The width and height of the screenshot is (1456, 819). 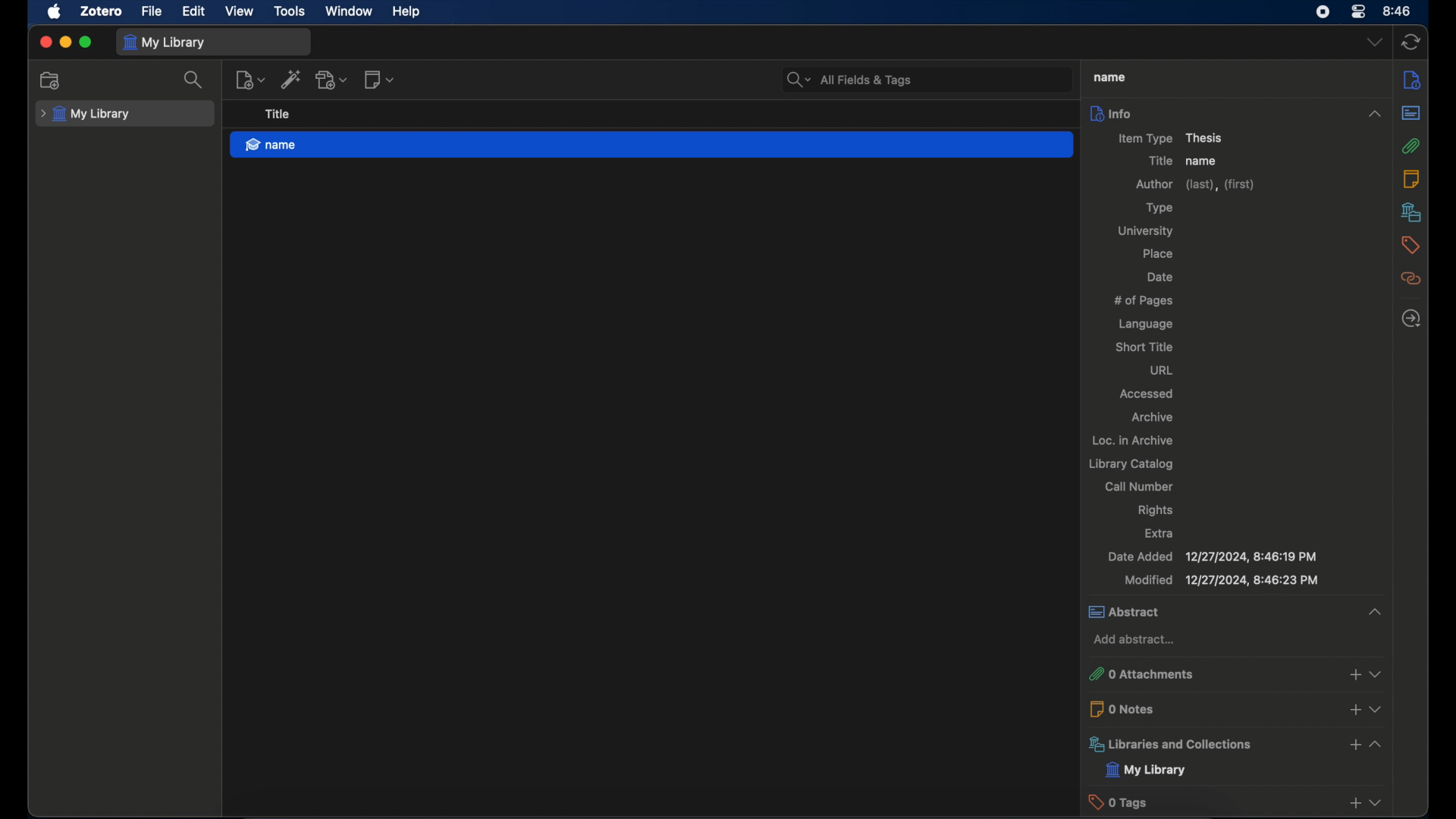 What do you see at coordinates (1210, 708) in the screenshot?
I see `0 notes` at bounding box center [1210, 708].